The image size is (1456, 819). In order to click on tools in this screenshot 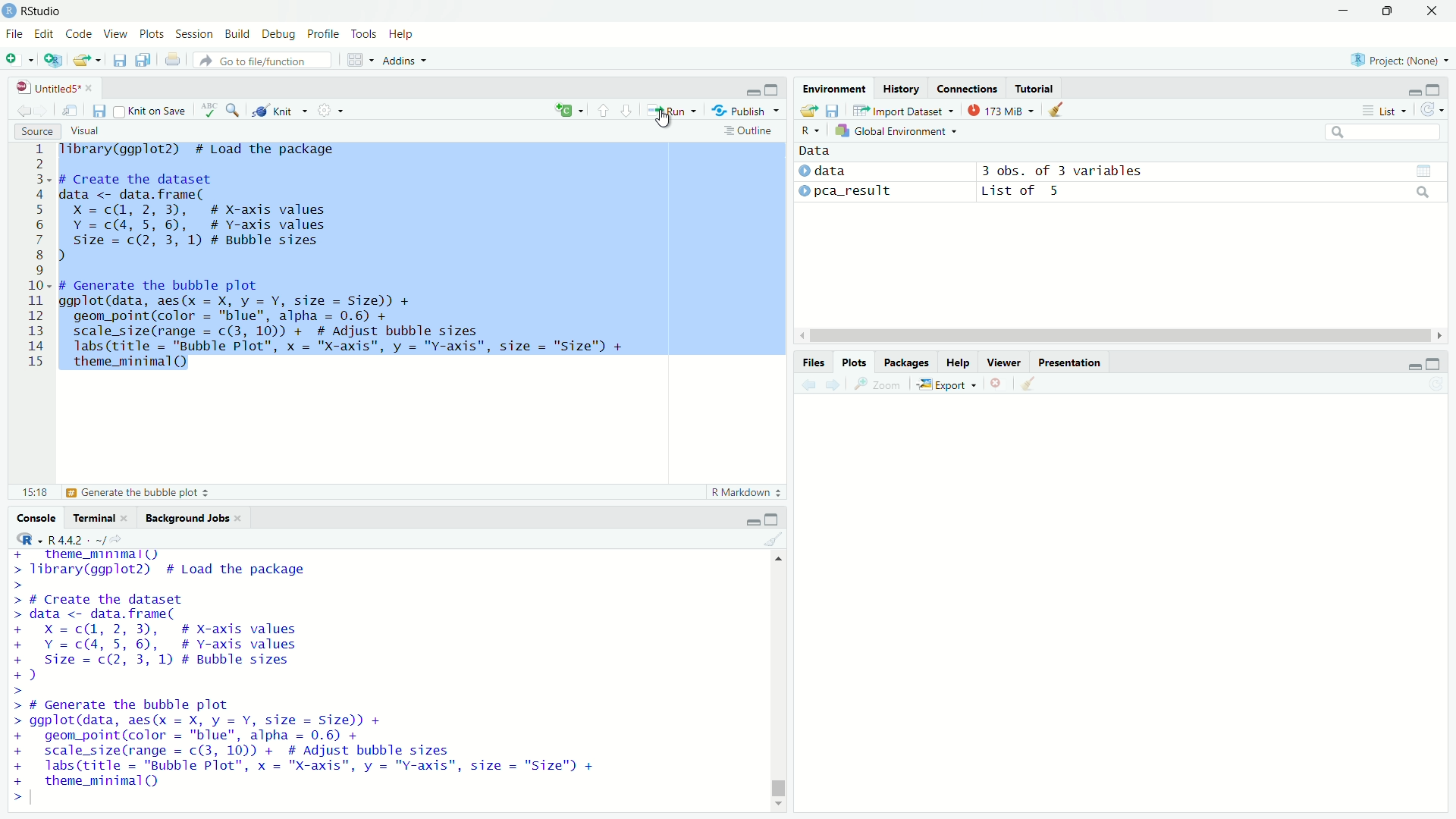, I will do `click(365, 33)`.